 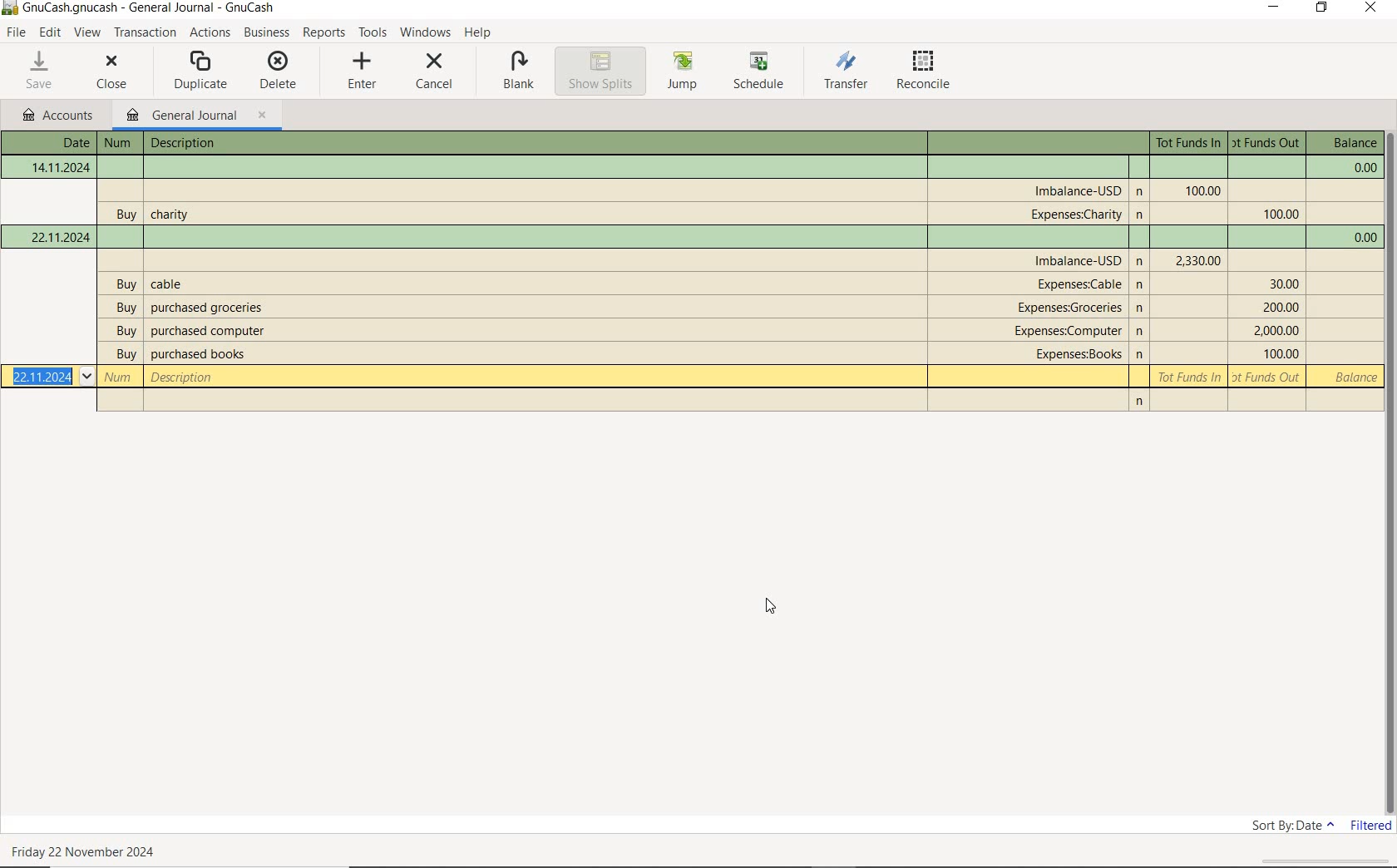 I want to click on description, so click(x=198, y=355).